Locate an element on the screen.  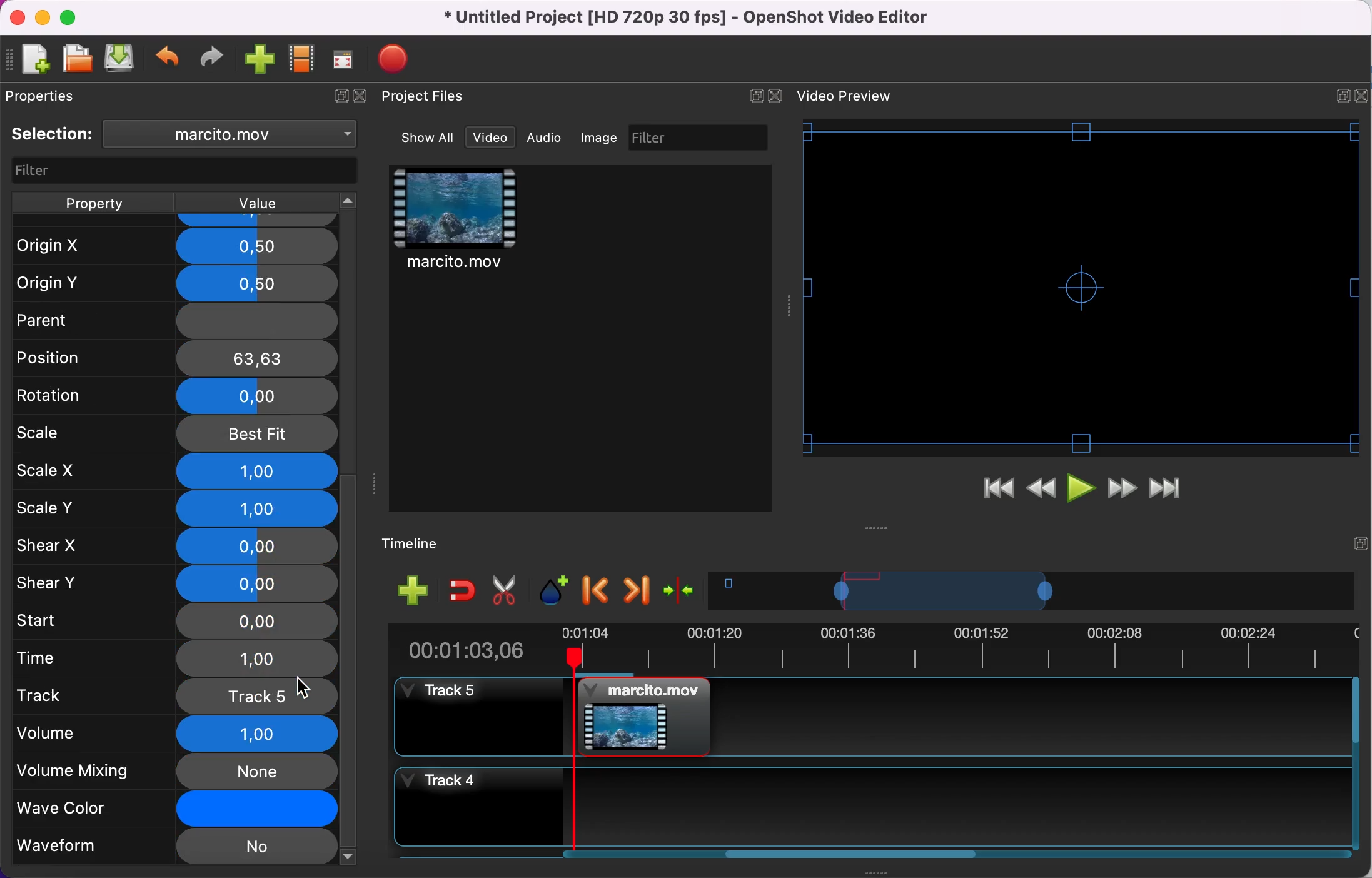
title is located at coordinates (690, 18).